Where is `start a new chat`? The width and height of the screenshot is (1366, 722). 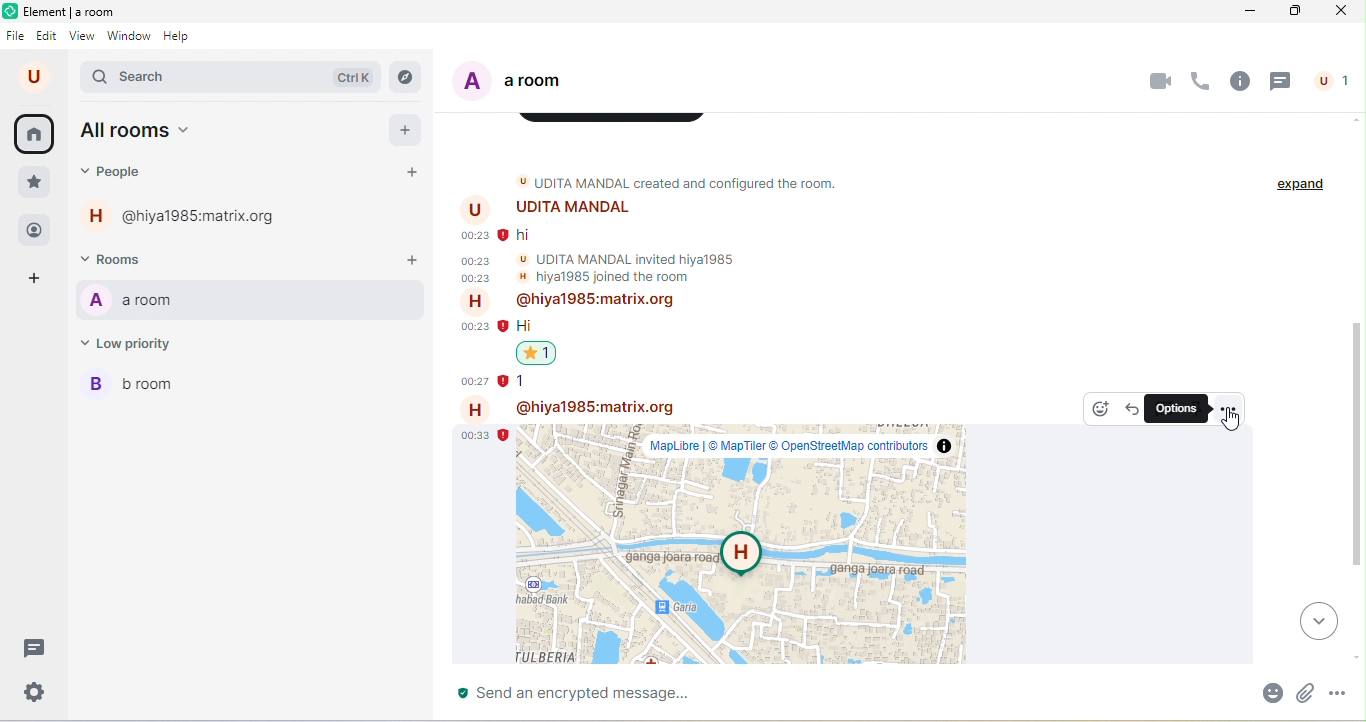
start a new chat is located at coordinates (410, 171).